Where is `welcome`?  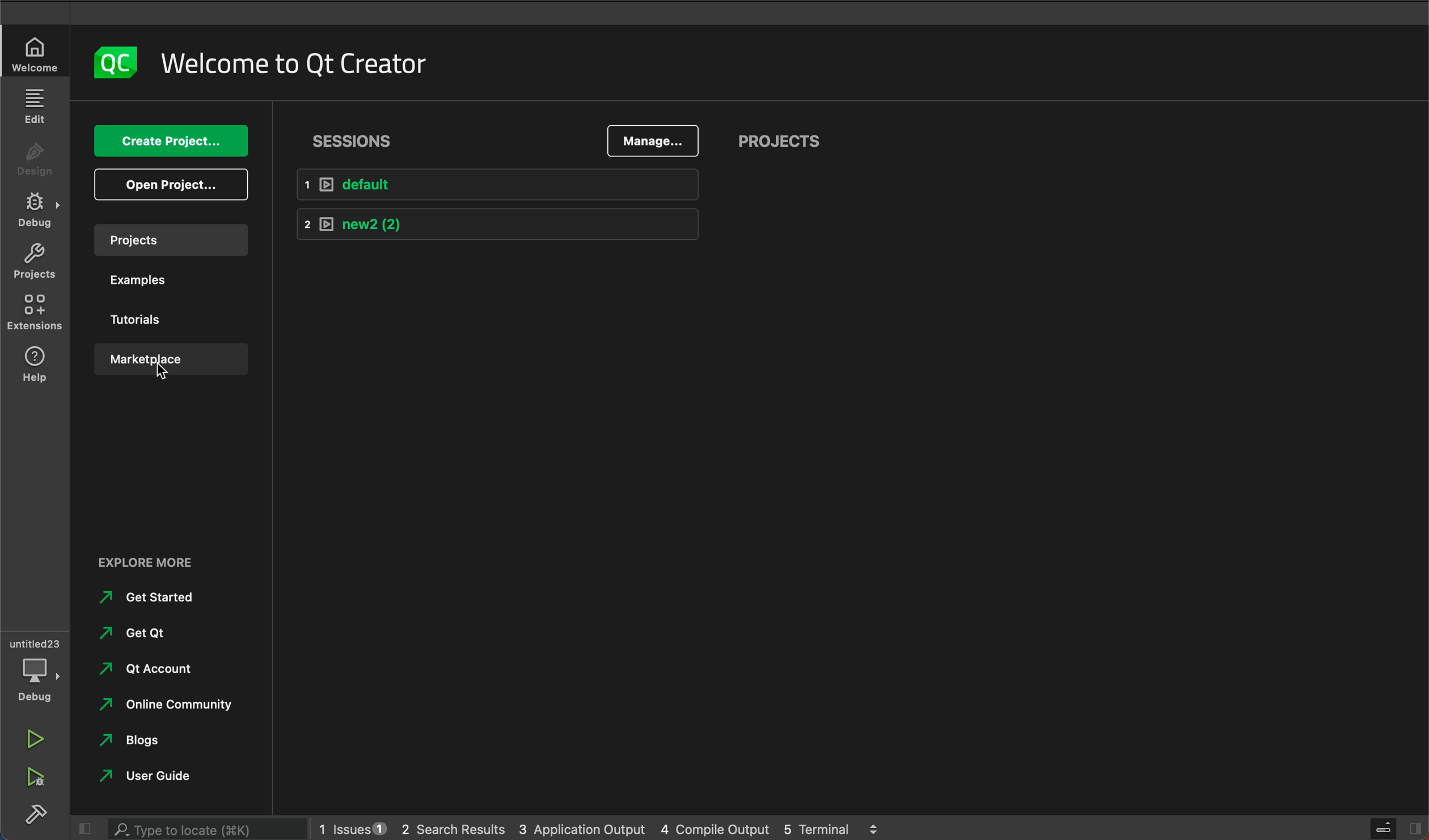
welcome is located at coordinates (301, 63).